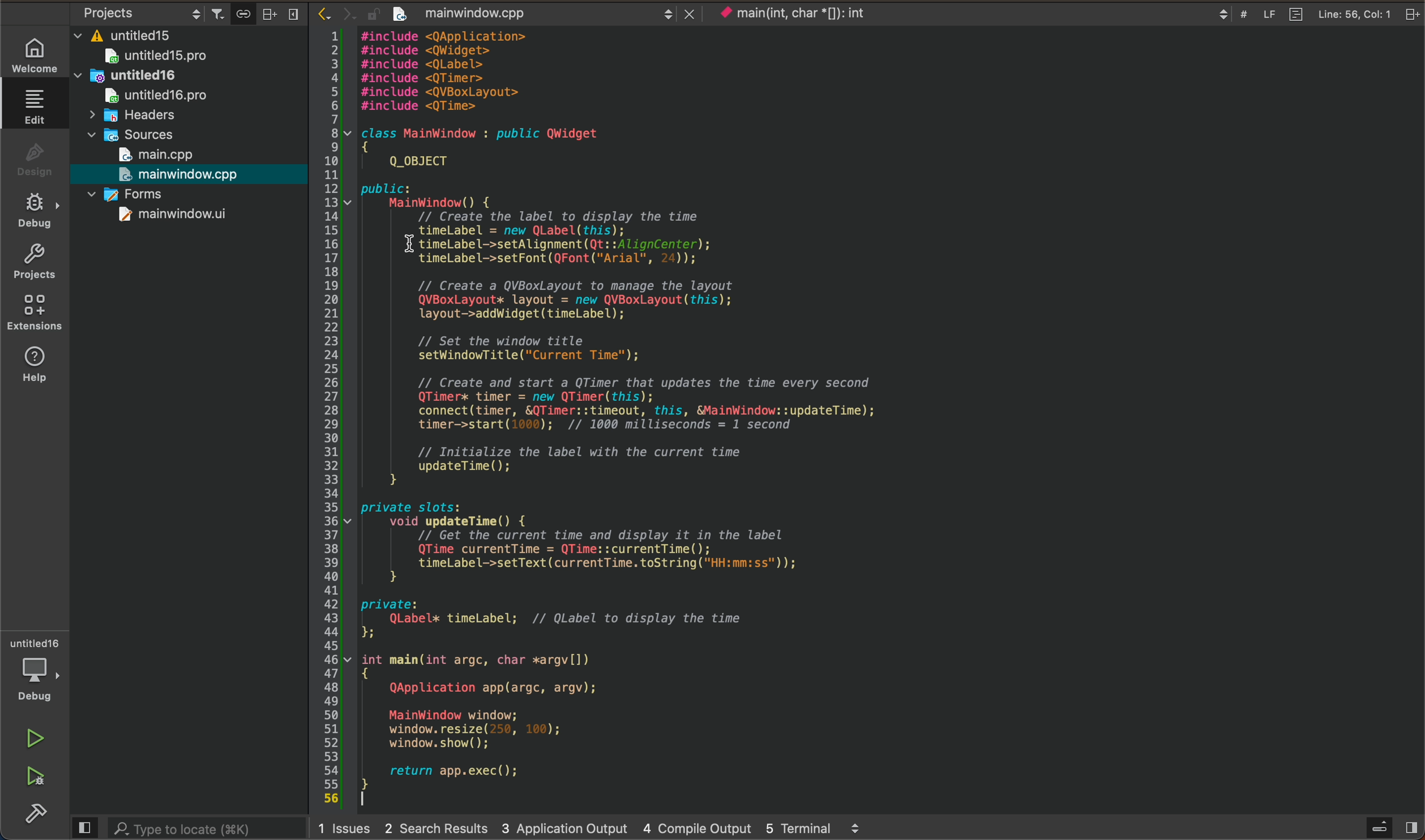 The height and width of the screenshot is (840, 1425). What do you see at coordinates (34, 54) in the screenshot?
I see `WELCOME` at bounding box center [34, 54].